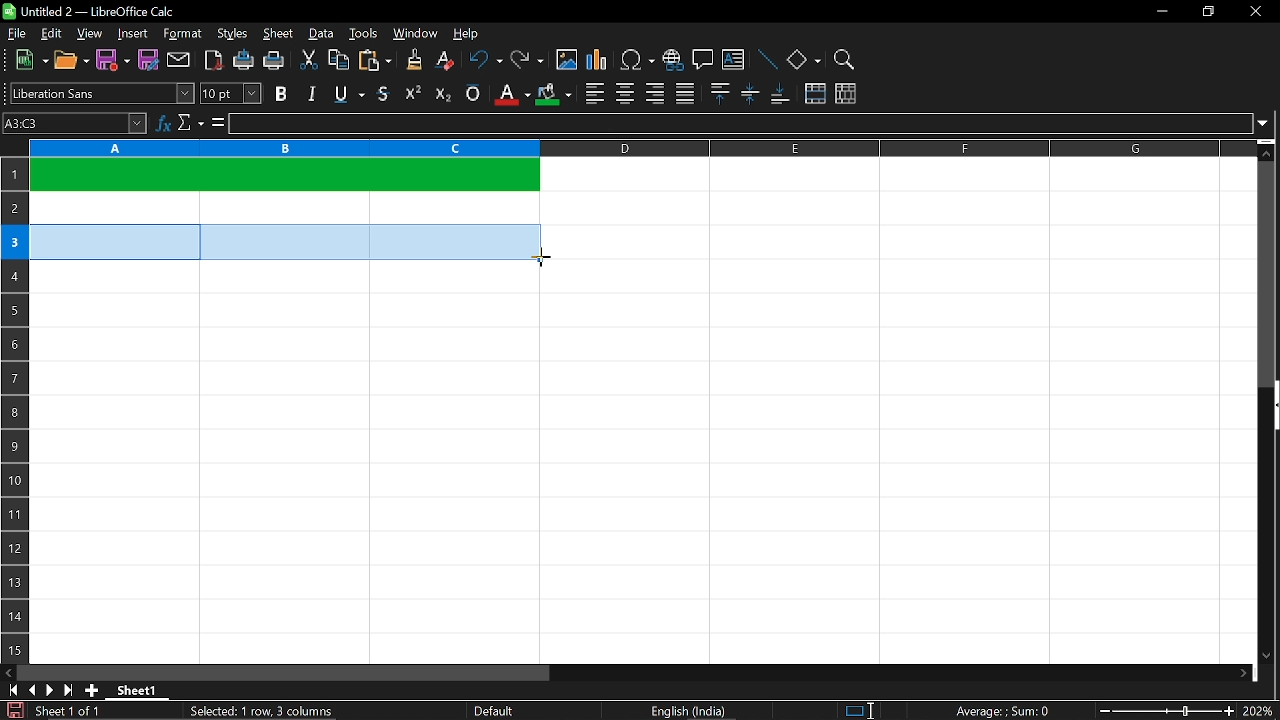 Image resolution: width=1280 pixels, height=720 pixels. Describe the element at coordinates (92, 691) in the screenshot. I see `add sheet` at that location.